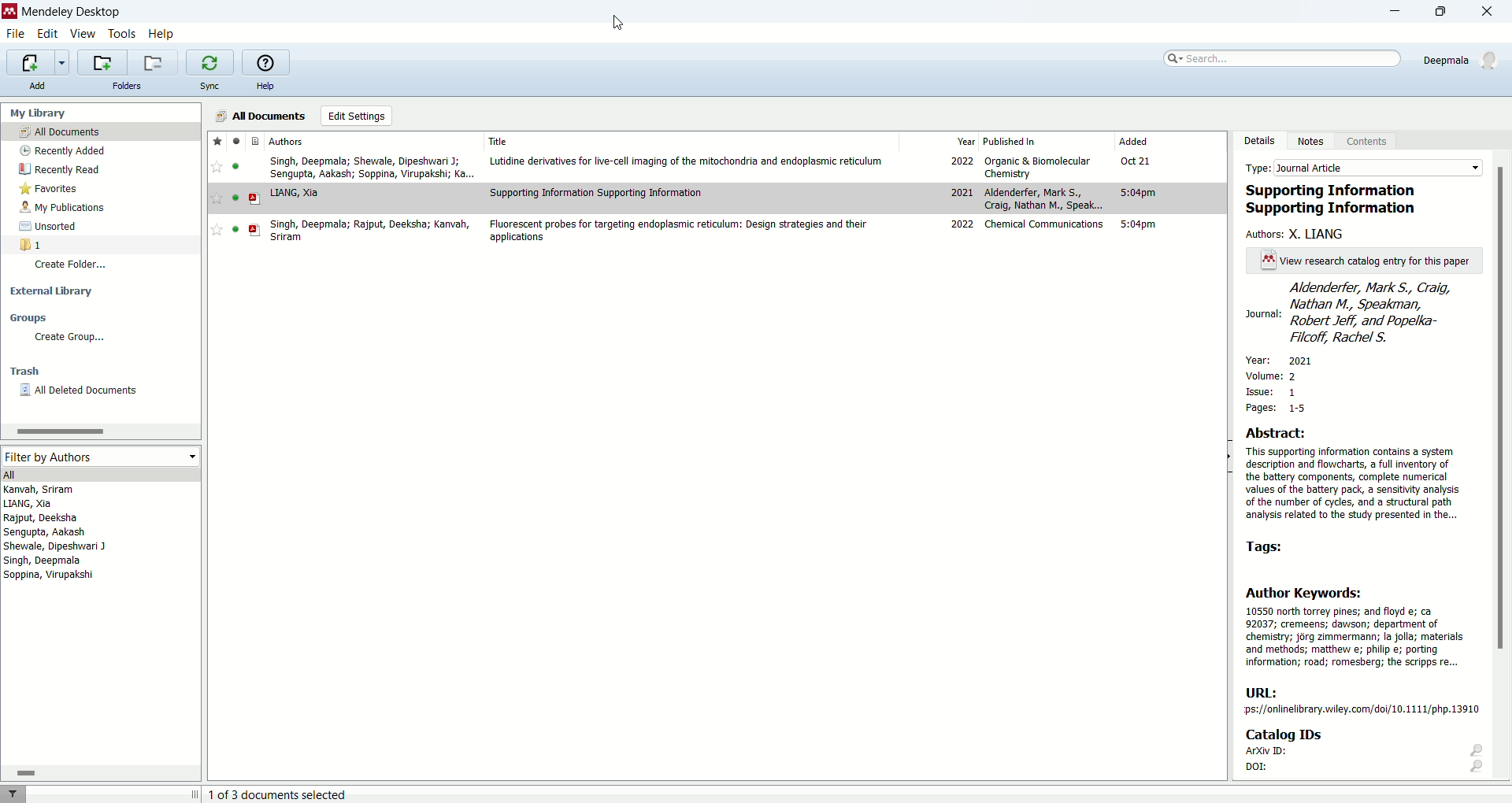 The width and height of the screenshot is (1512, 803). I want to click on horizontal scroll bar, so click(99, 431).